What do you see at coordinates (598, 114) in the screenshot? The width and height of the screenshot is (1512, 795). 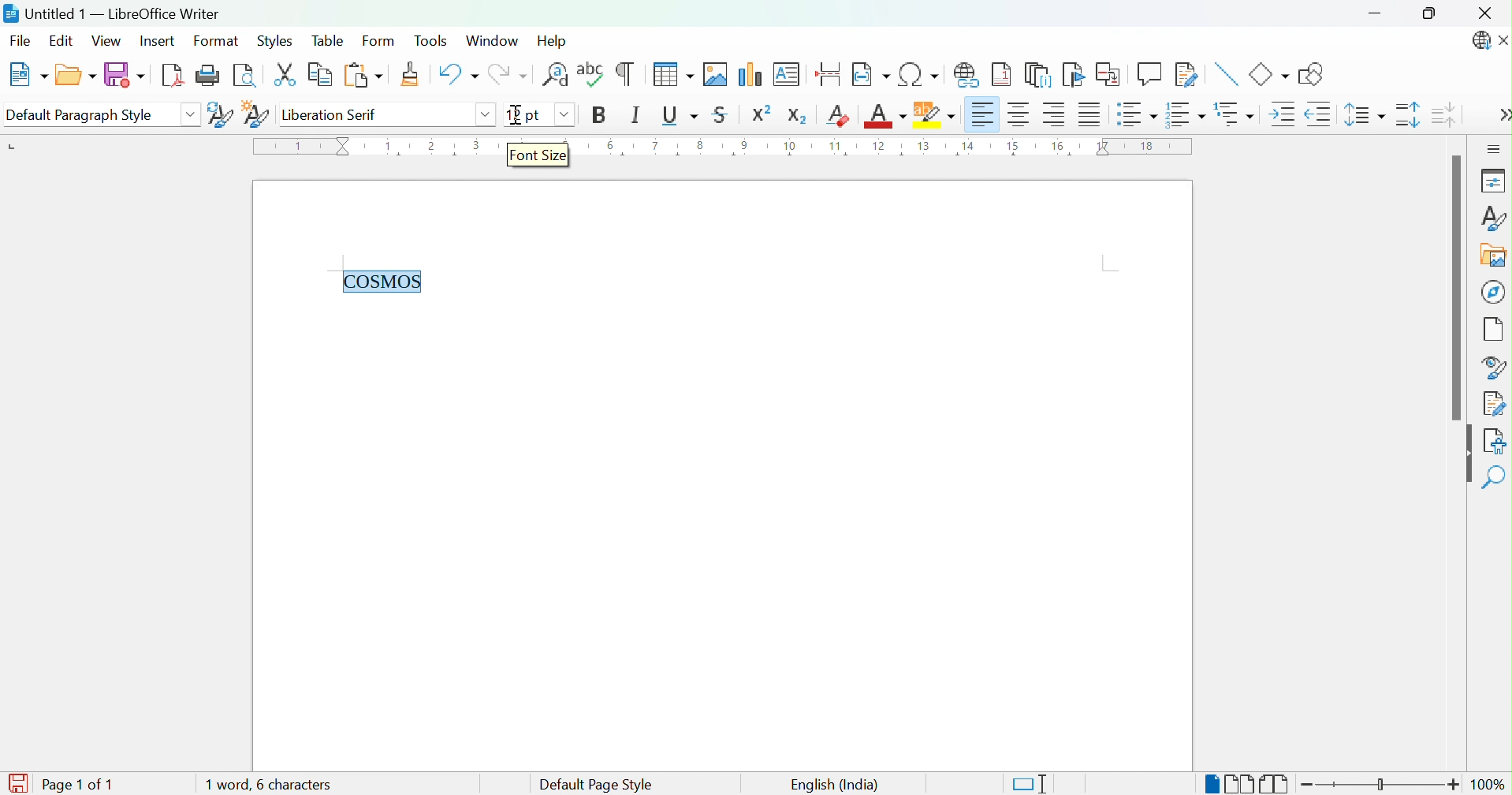 I see `Bold` at bounding box center [598, 114].